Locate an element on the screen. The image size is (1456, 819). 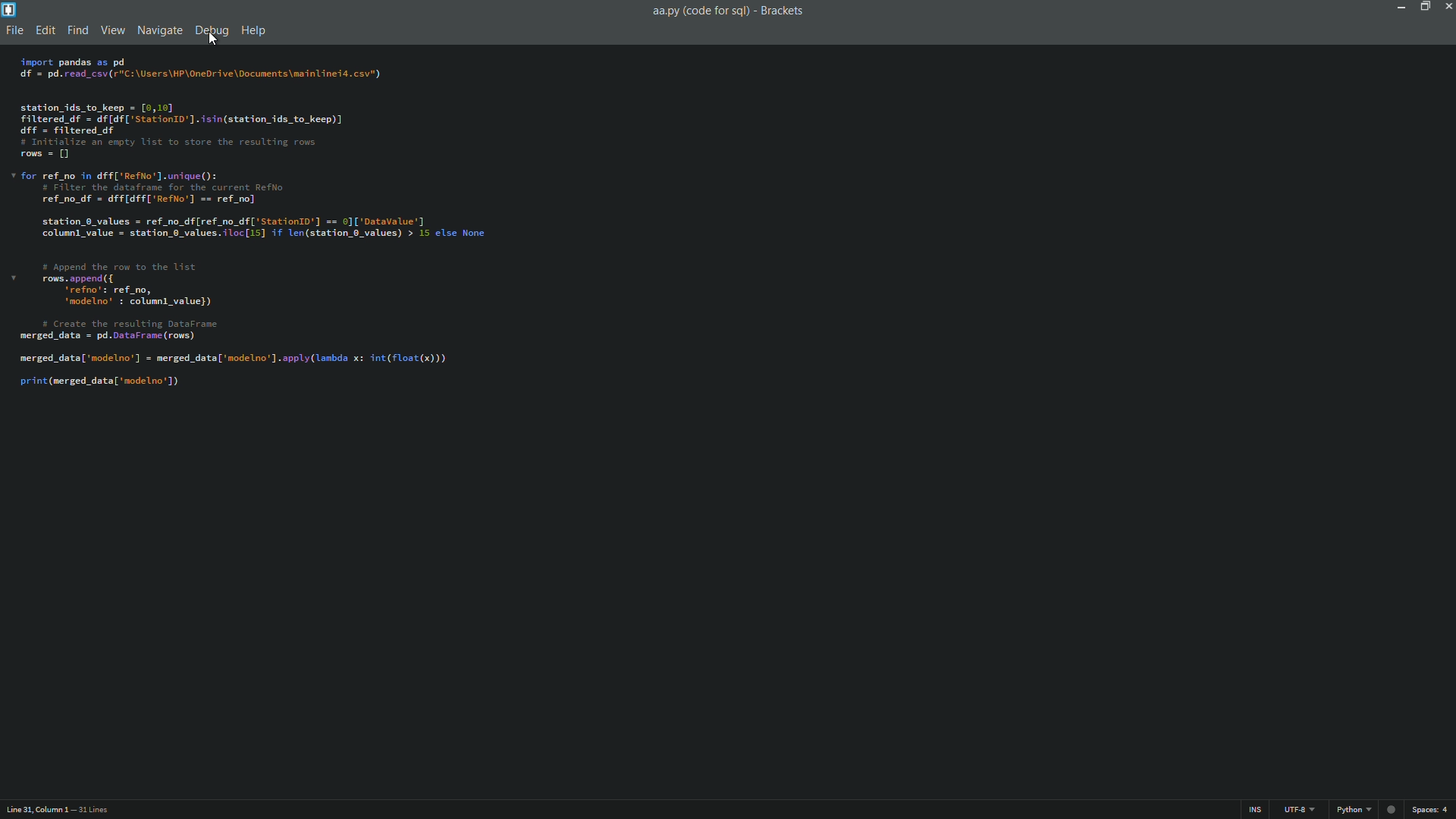
Code is located at coordinates (253, 223).